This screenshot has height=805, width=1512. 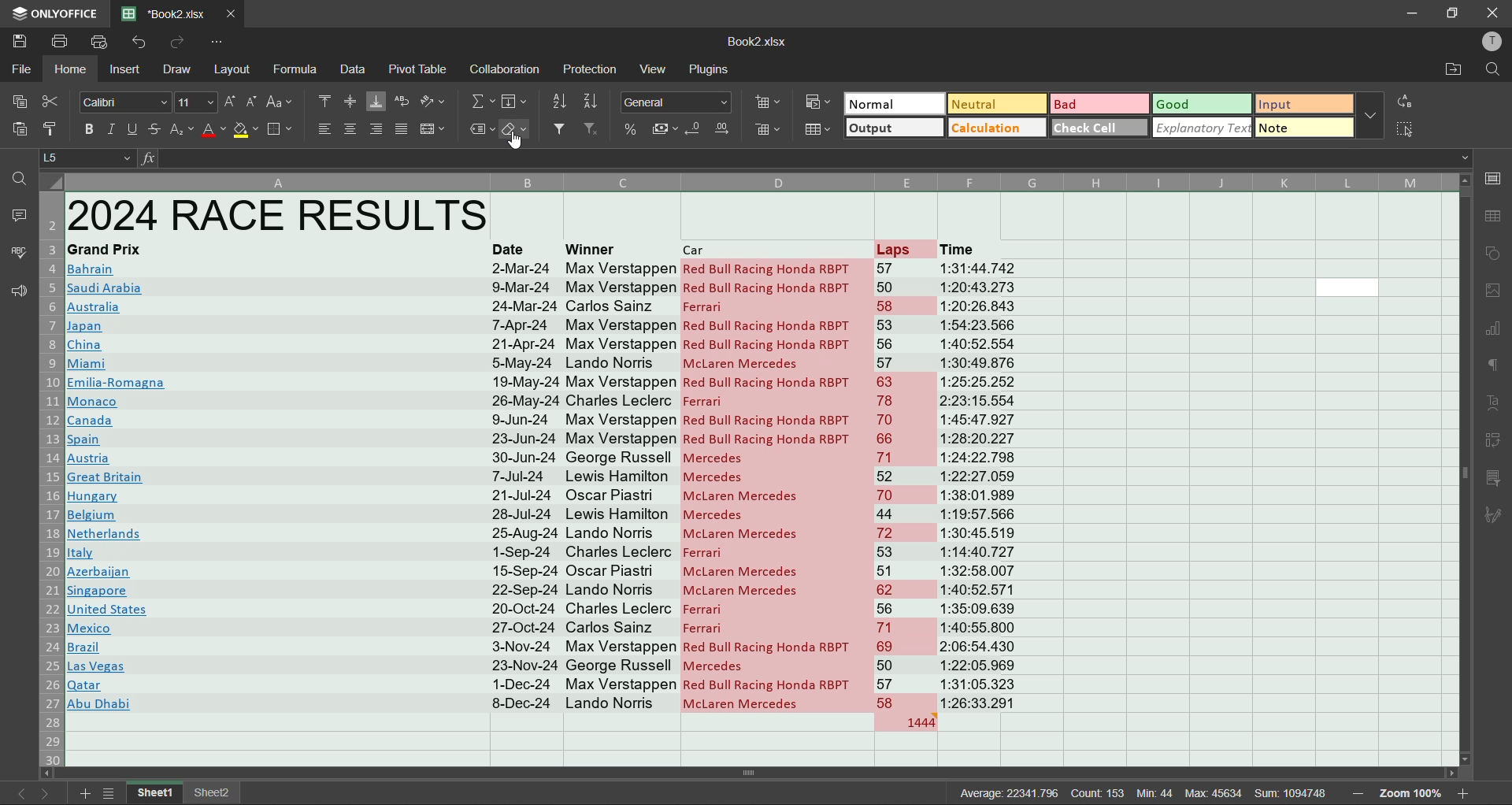 I want to click on max, so click(x=1212, y=792).